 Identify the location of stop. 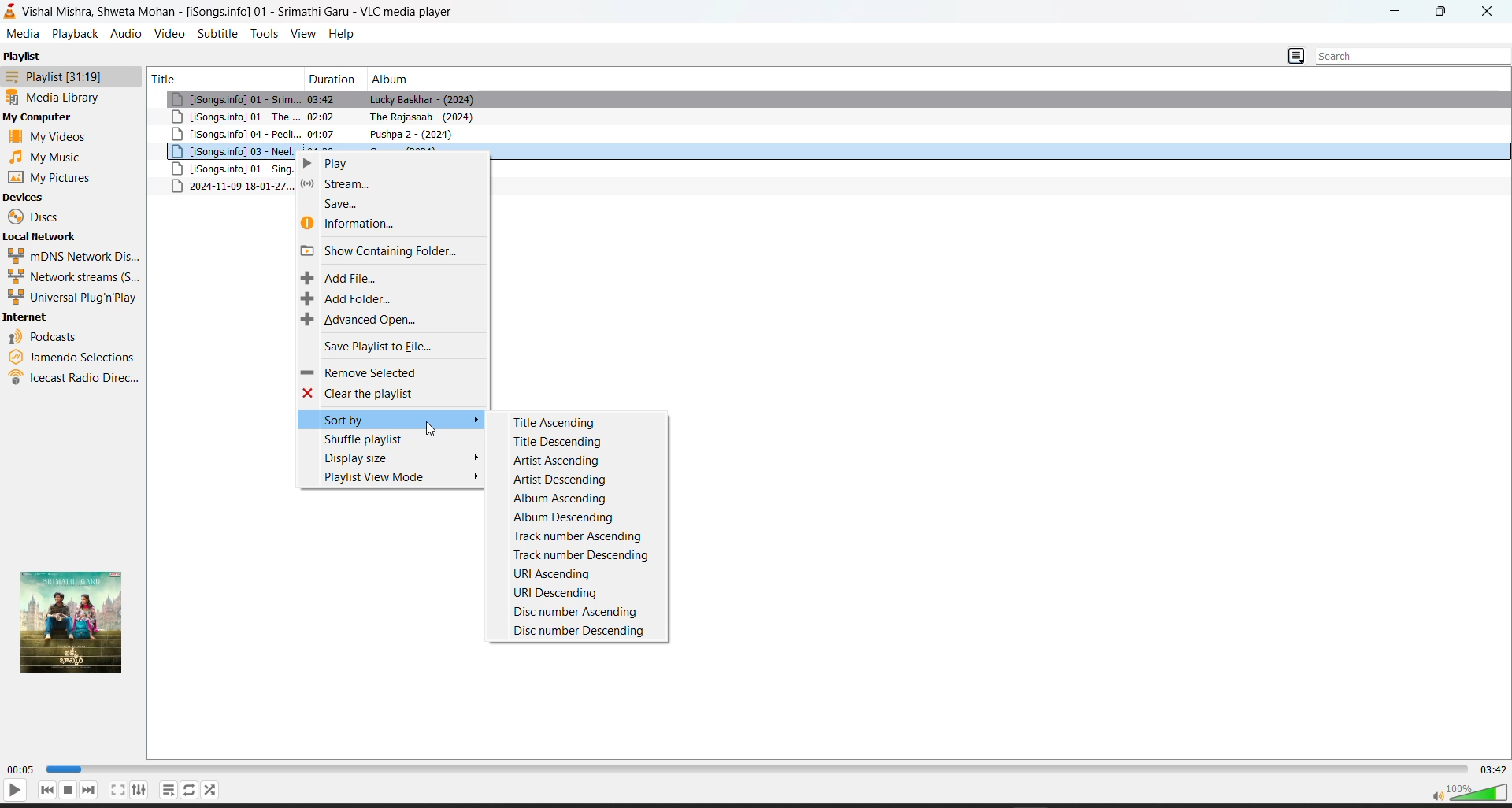
(69, 790).